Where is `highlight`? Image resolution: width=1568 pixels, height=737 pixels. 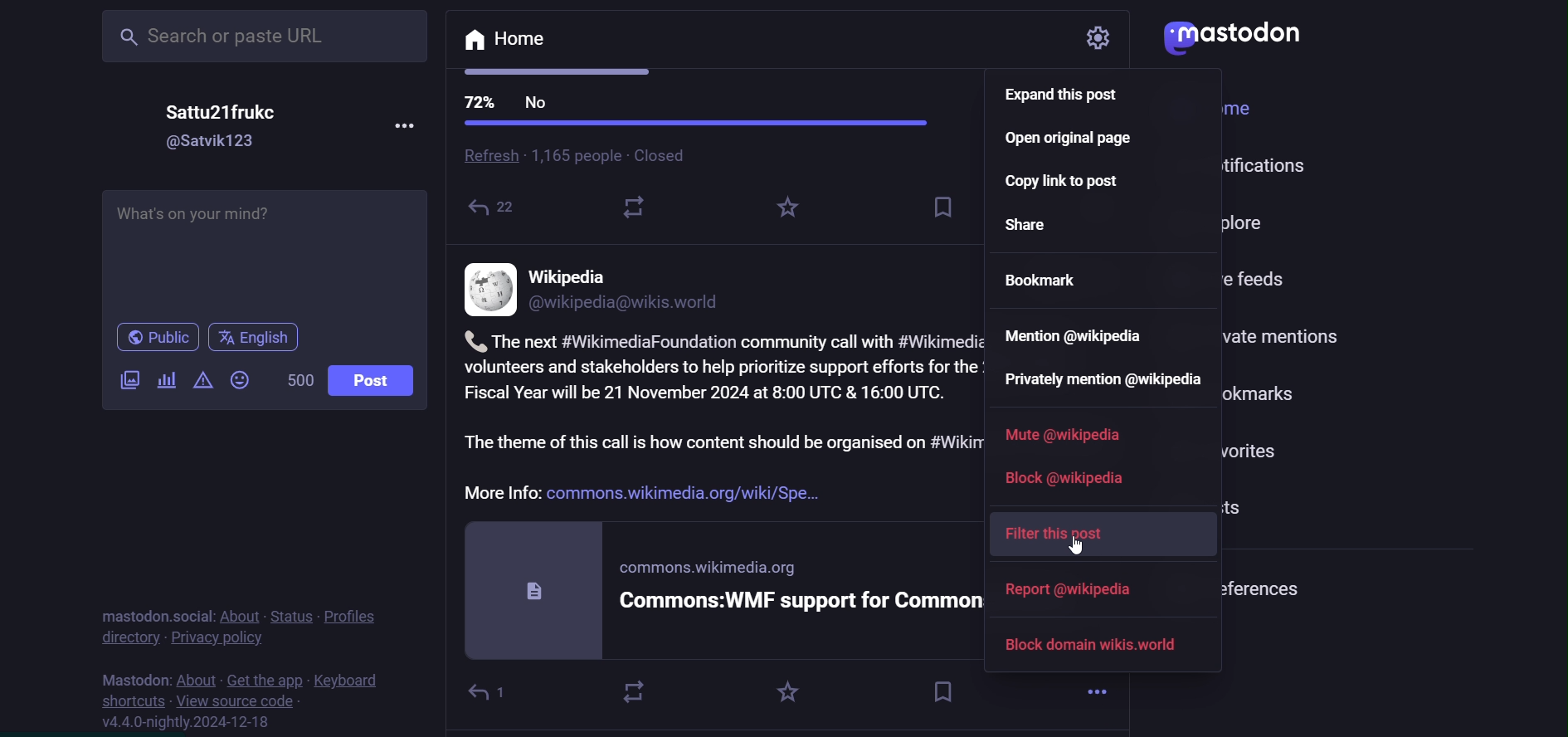
highlight is located at coordinates (786, 213).